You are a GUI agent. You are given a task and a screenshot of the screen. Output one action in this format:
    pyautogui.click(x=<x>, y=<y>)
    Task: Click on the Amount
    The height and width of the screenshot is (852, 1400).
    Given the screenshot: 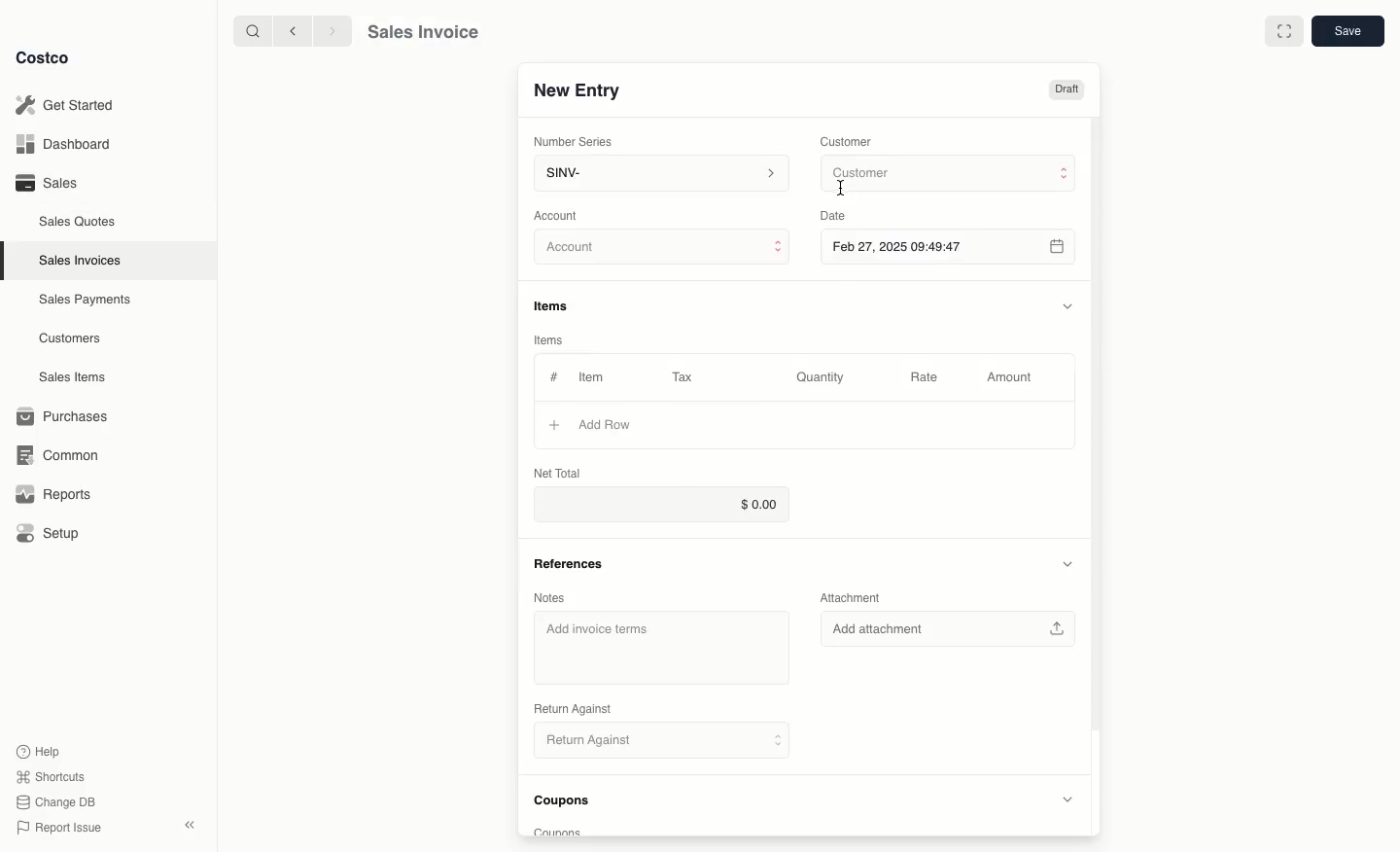 What is the action you would take?
    pyautogui.click(x=1007, y=378)
    